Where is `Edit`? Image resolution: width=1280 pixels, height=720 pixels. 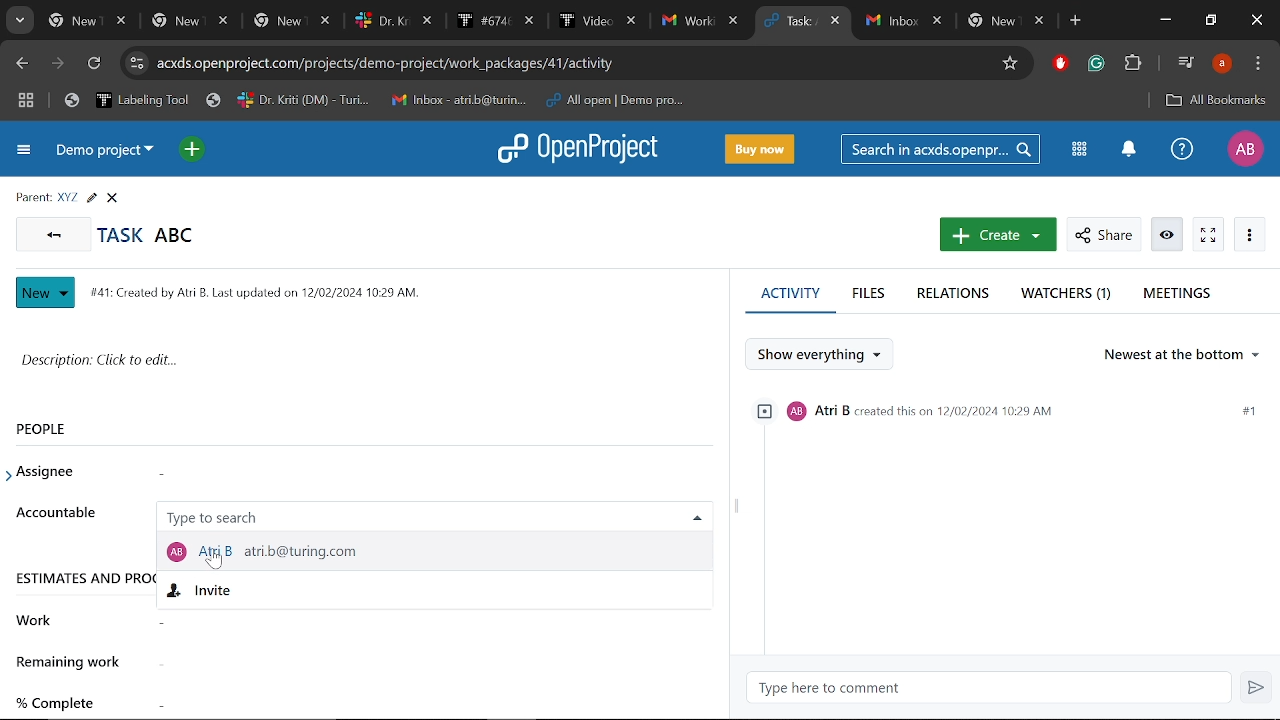 Edit is located at coordinates (91, 199).